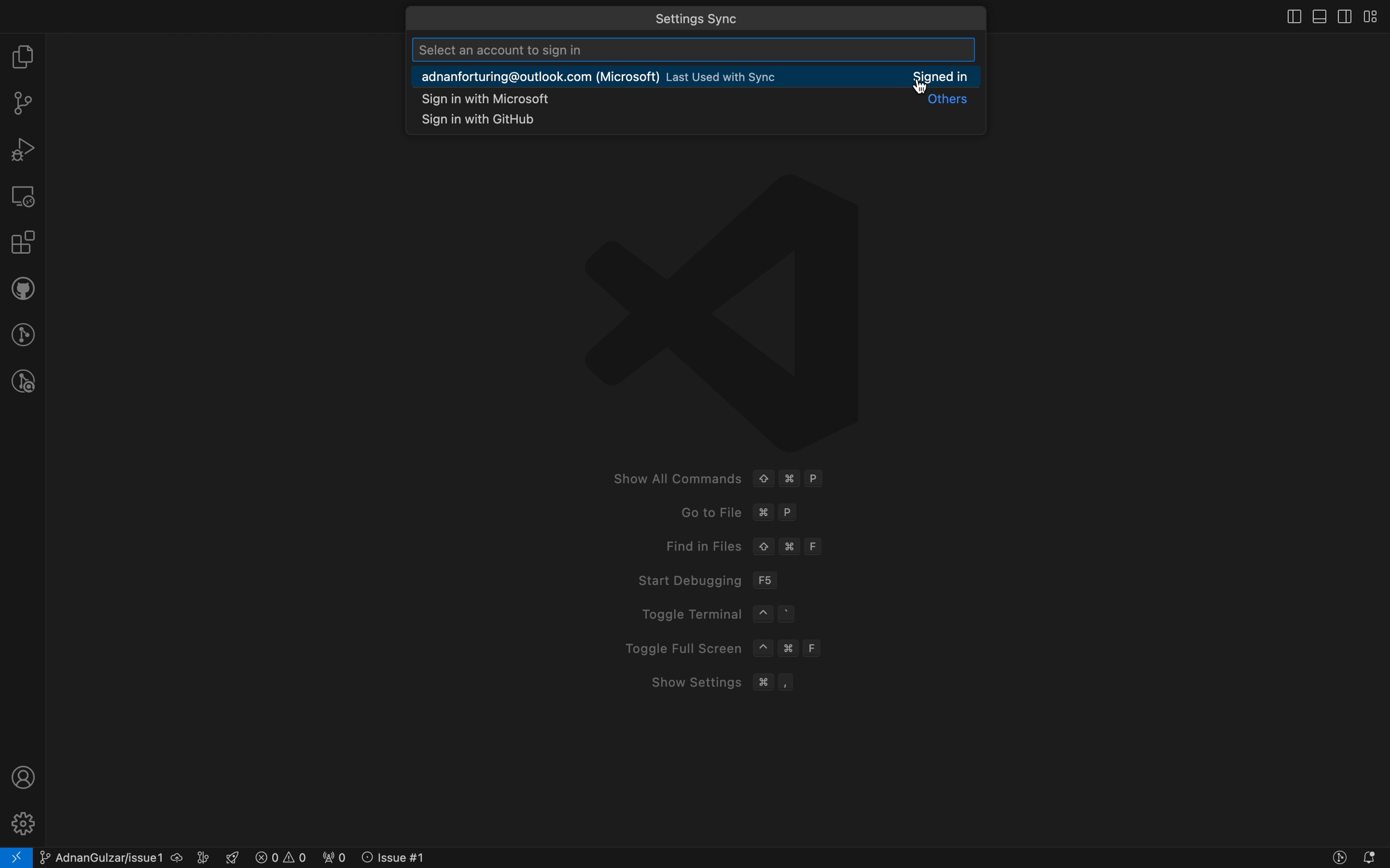 The height and width of the screenshot is (868, 1390). I want to click on connected account, so click(694, 75).